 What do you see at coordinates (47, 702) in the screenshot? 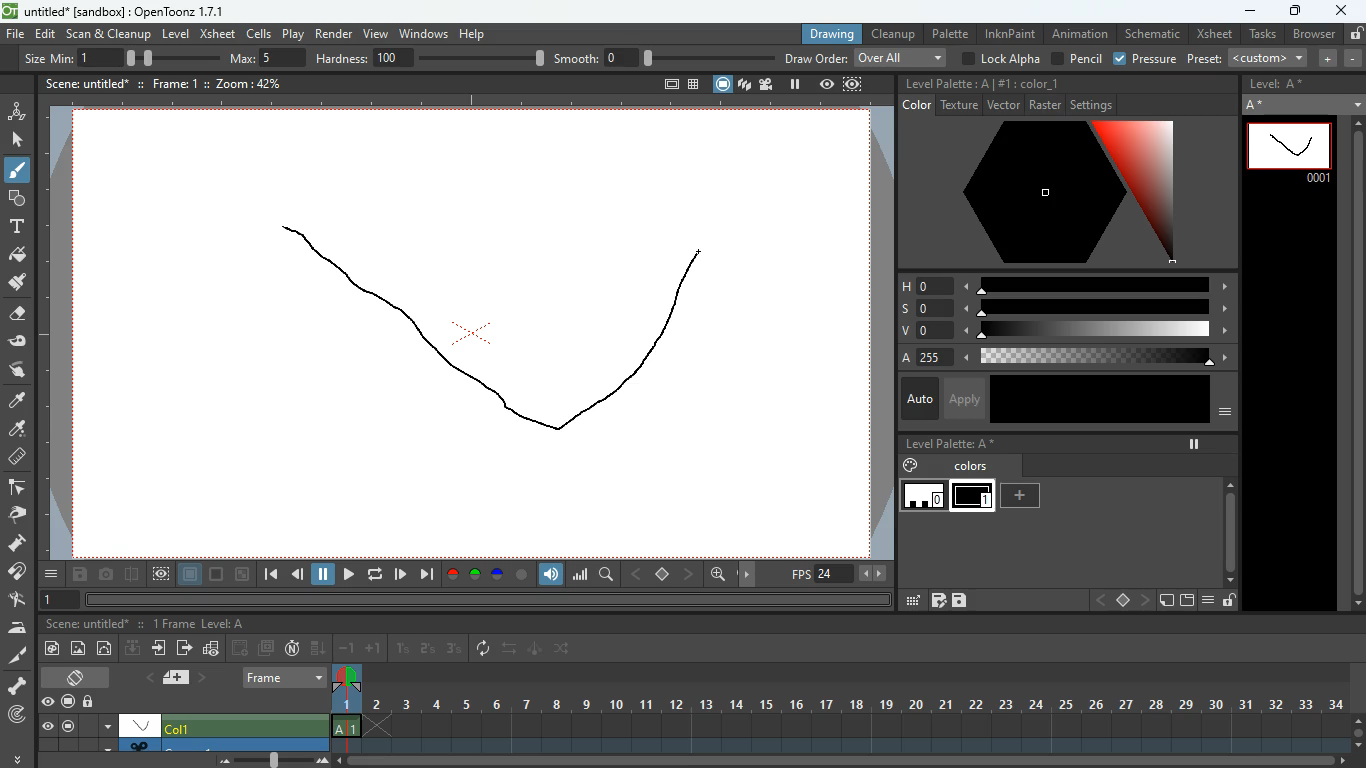
I see `view` at bounding box center [47, 702].